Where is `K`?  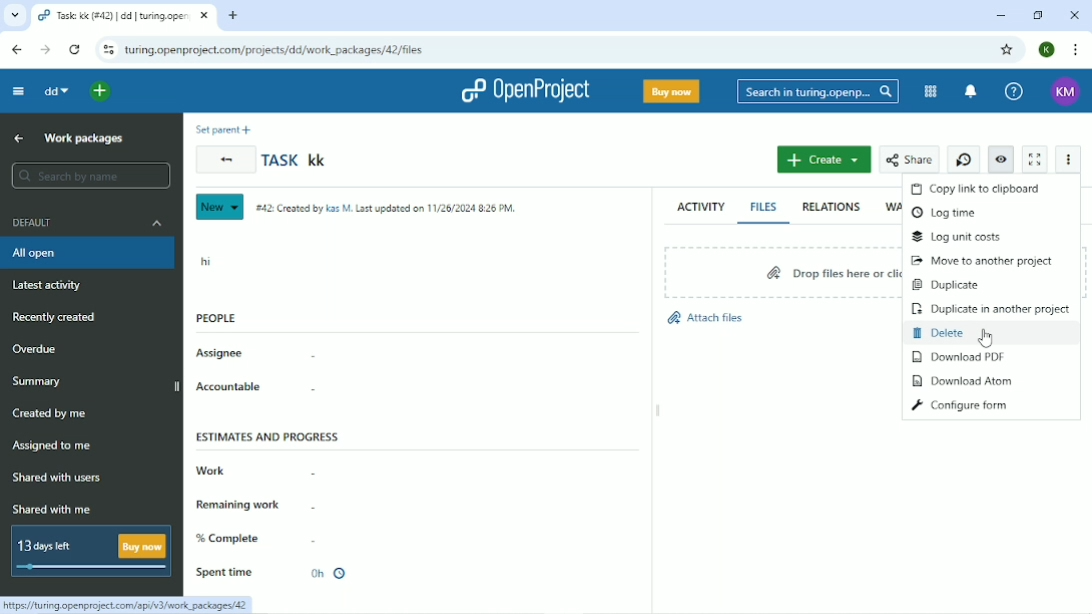 K is located at coordinates (1046, 50).